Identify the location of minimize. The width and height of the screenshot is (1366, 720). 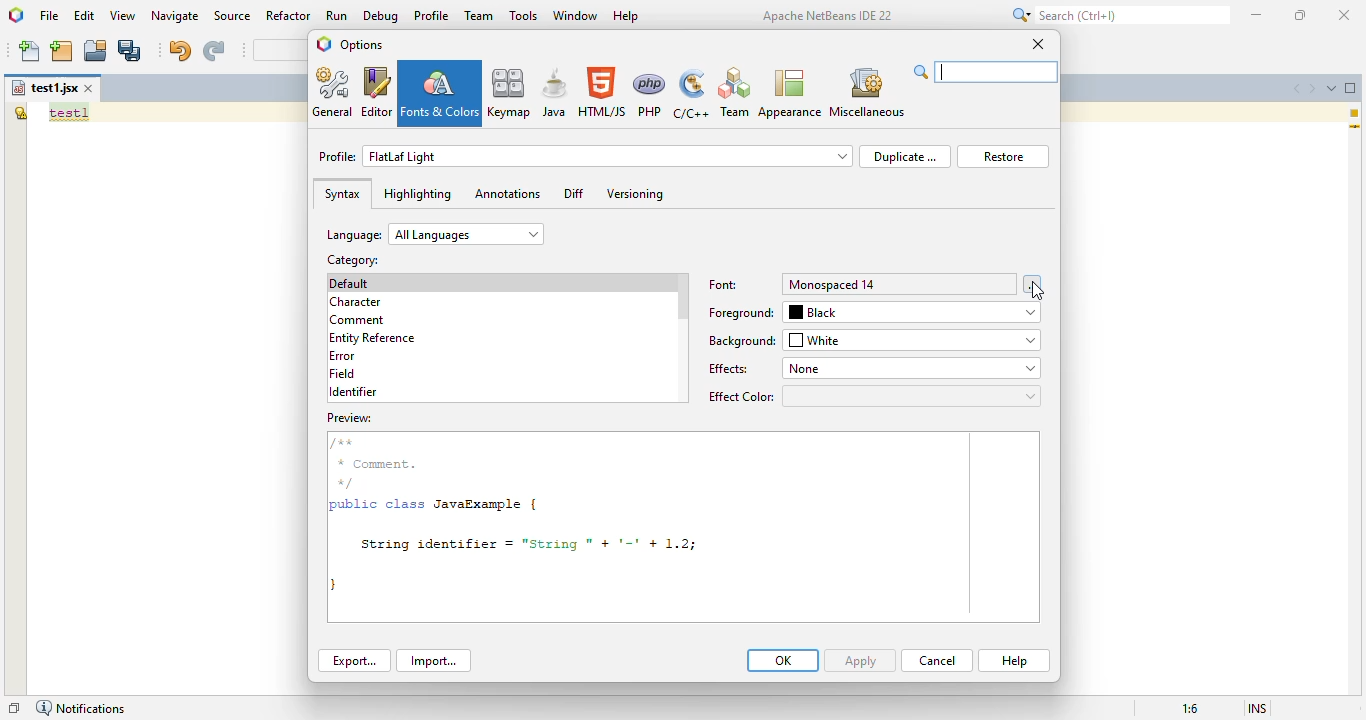
(1257, 14).